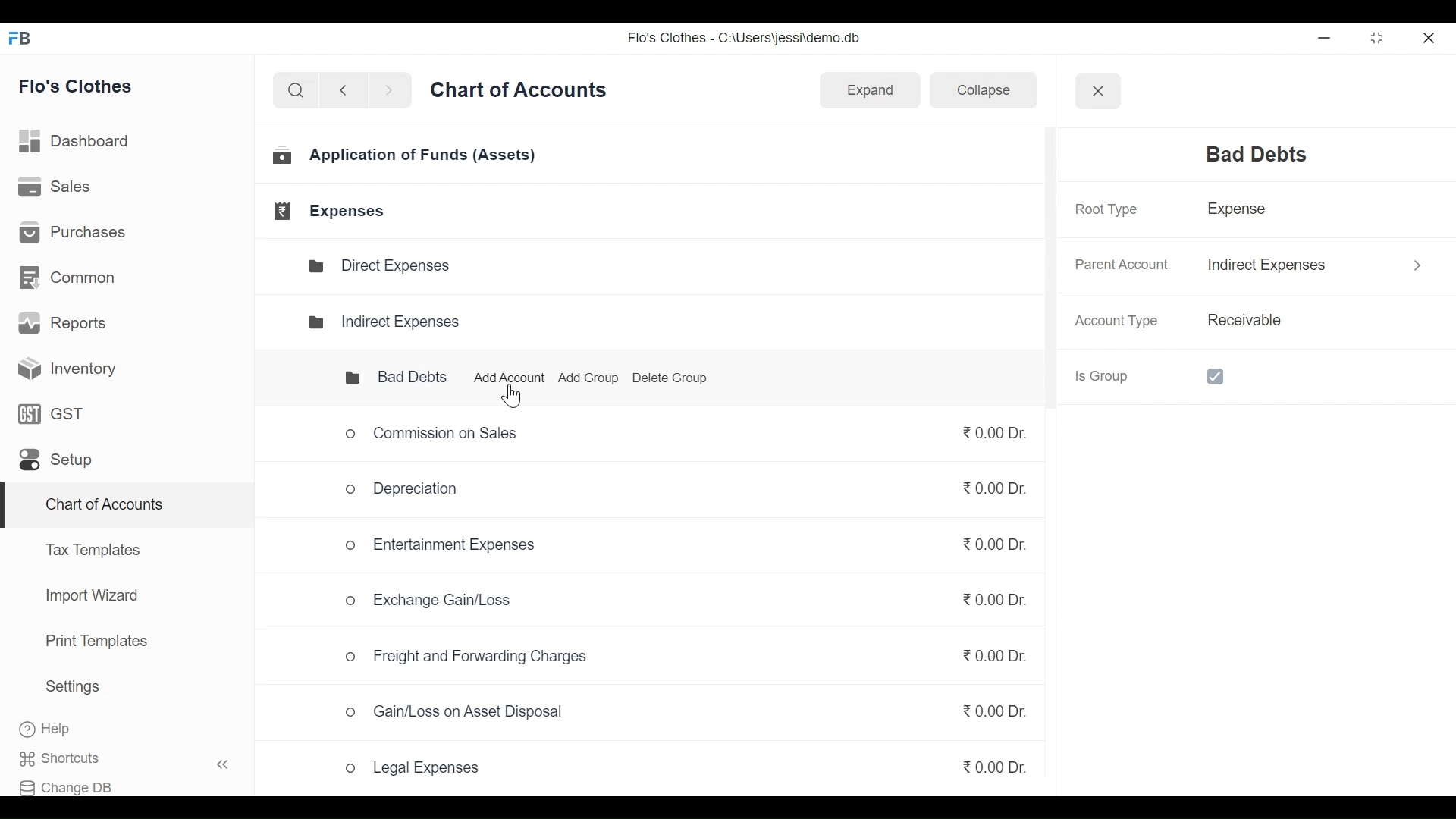  What do you see at coordinates (1242, 212) in the screenshot?
I see `Expense` at bounding box center [1242, 212].